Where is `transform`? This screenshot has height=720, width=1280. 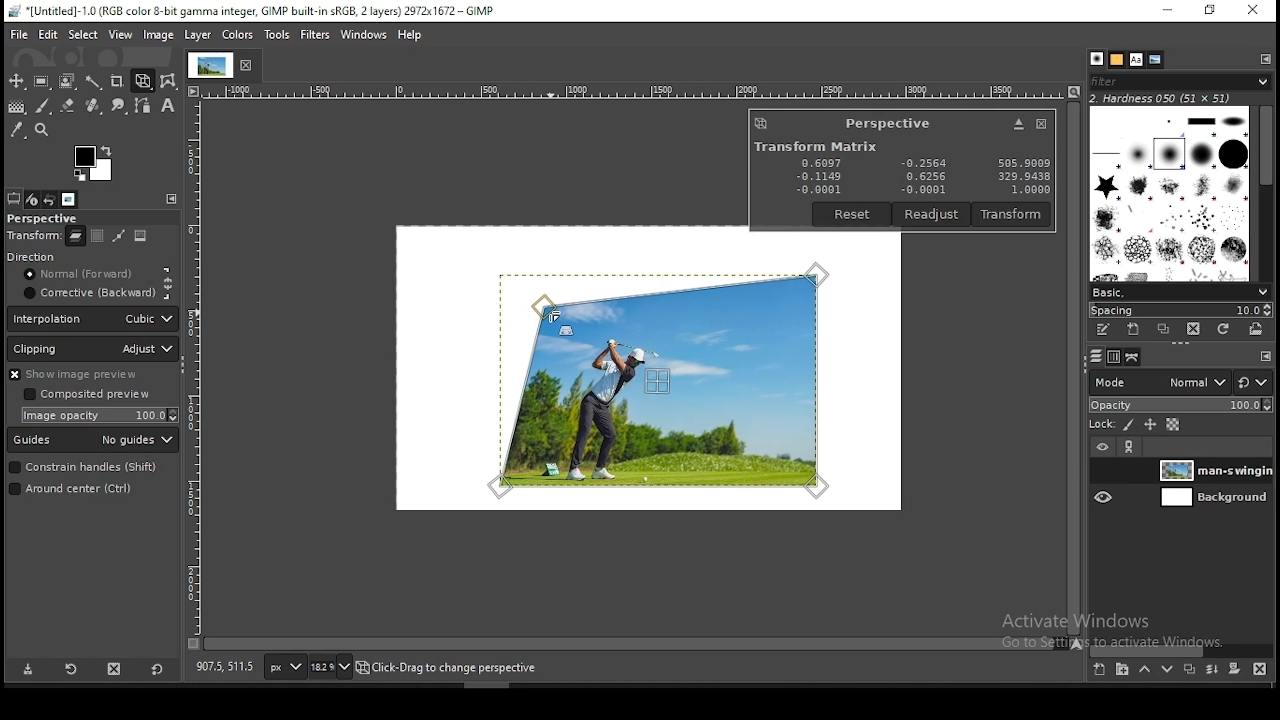 transform is located at coordinates (33, 237).